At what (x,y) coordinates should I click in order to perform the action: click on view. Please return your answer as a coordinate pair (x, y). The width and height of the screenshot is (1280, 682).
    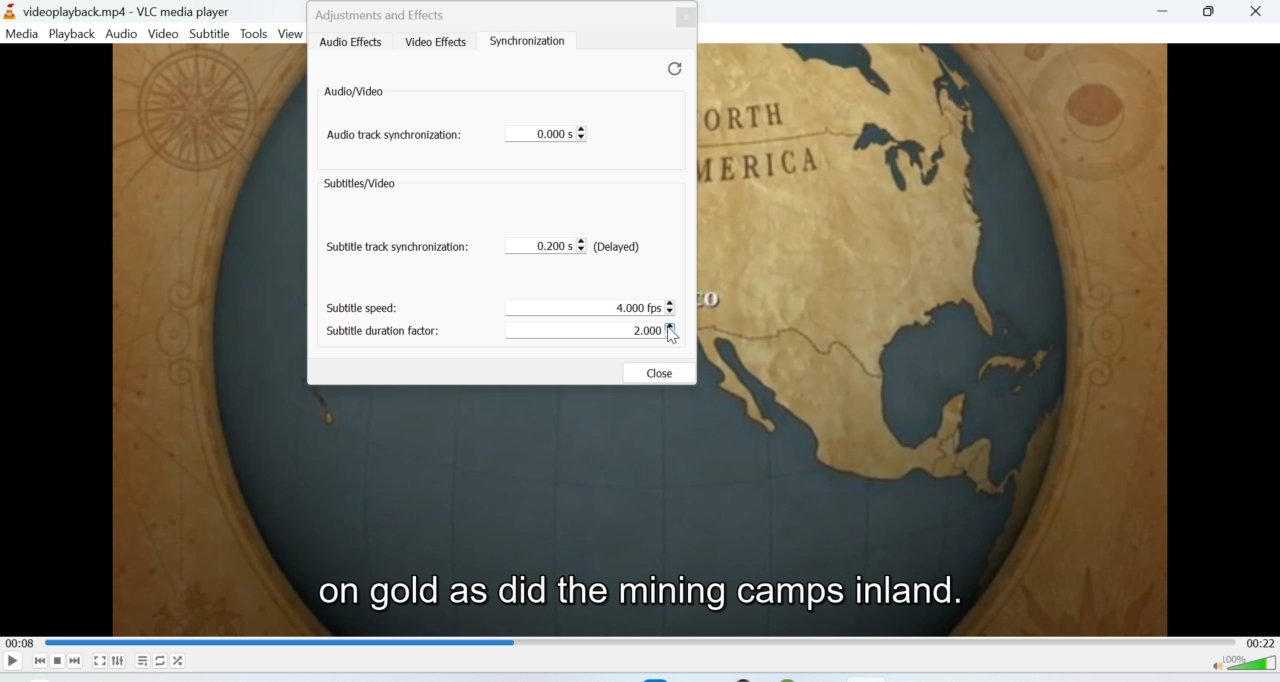
    Looking at the image, I should click on (289, 33).